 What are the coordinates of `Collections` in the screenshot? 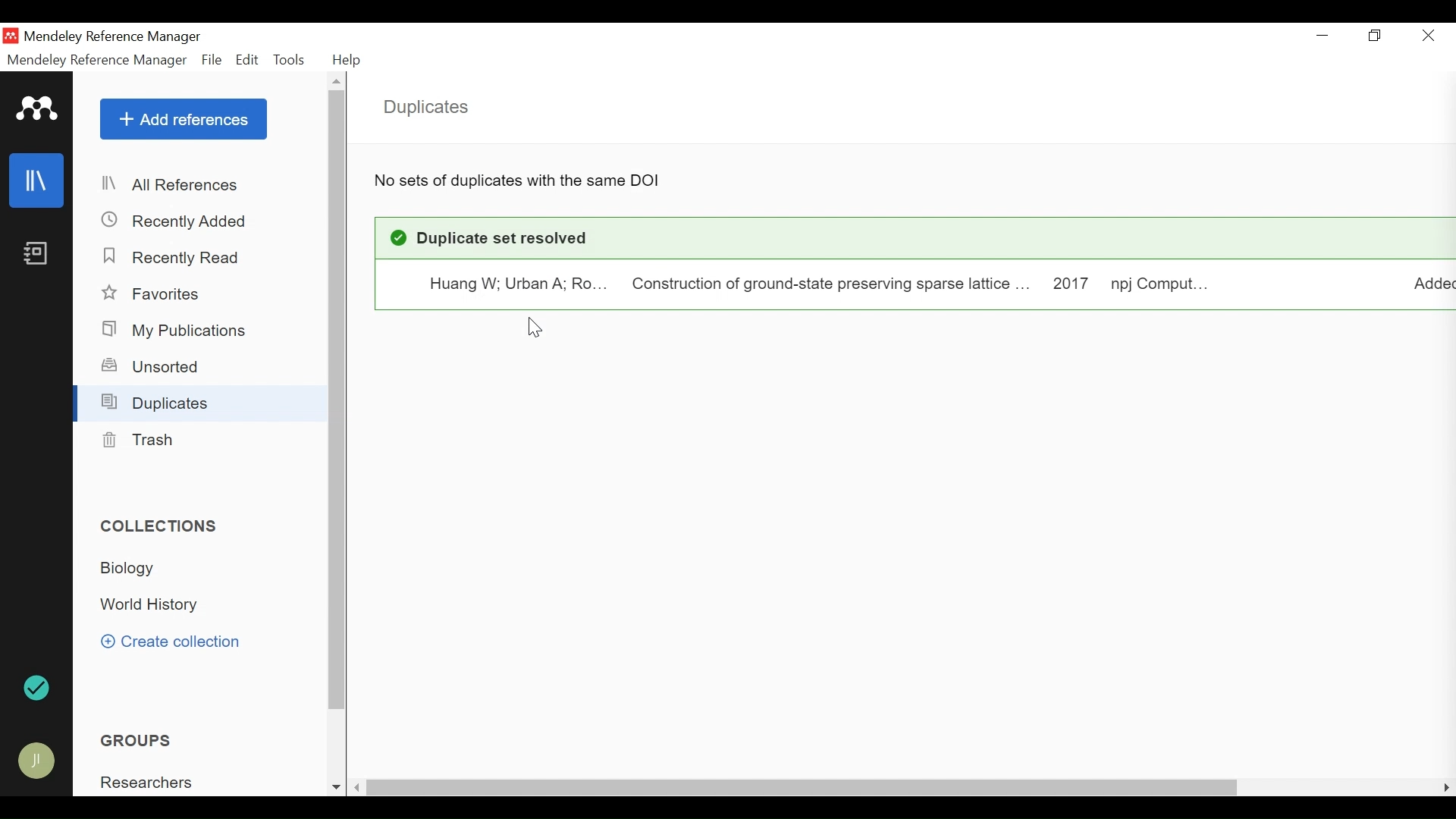 It's located at (162, 528).